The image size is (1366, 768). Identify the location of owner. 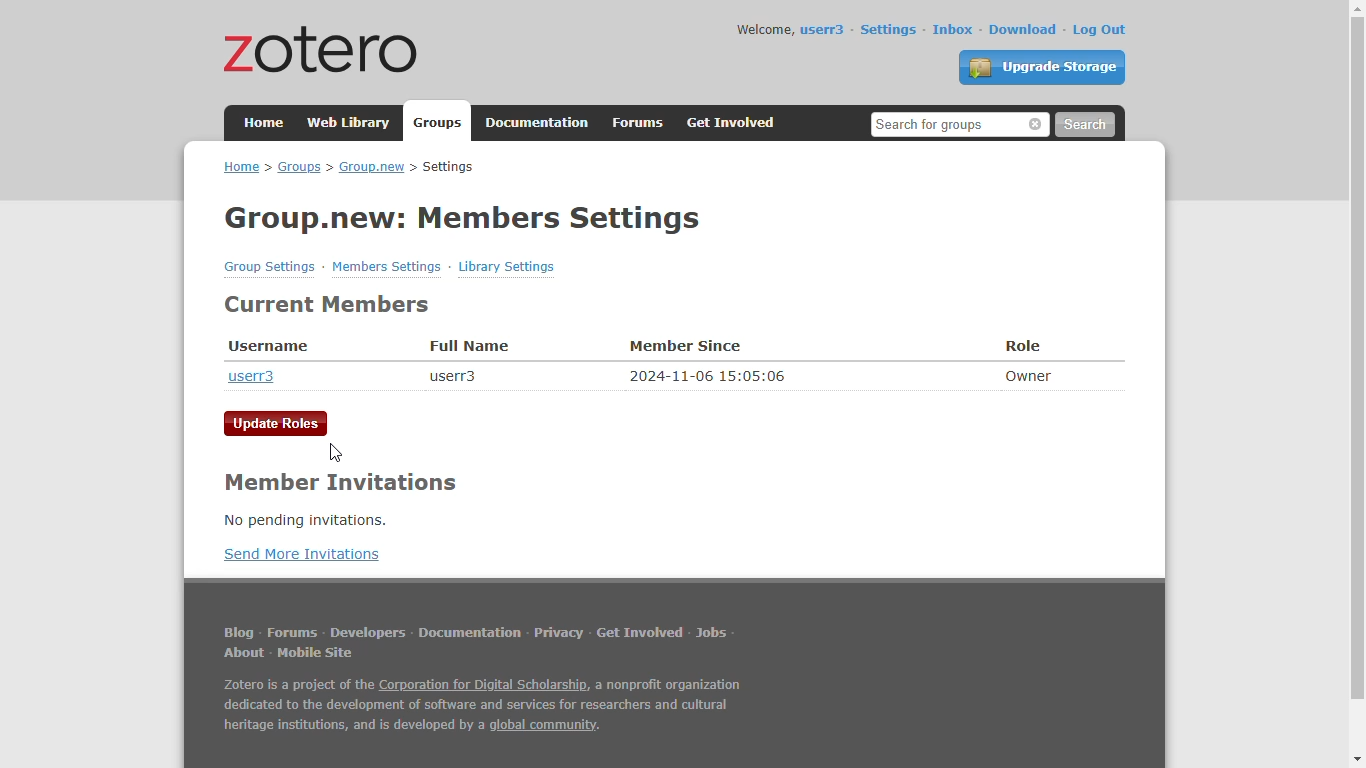
(1029, 375).